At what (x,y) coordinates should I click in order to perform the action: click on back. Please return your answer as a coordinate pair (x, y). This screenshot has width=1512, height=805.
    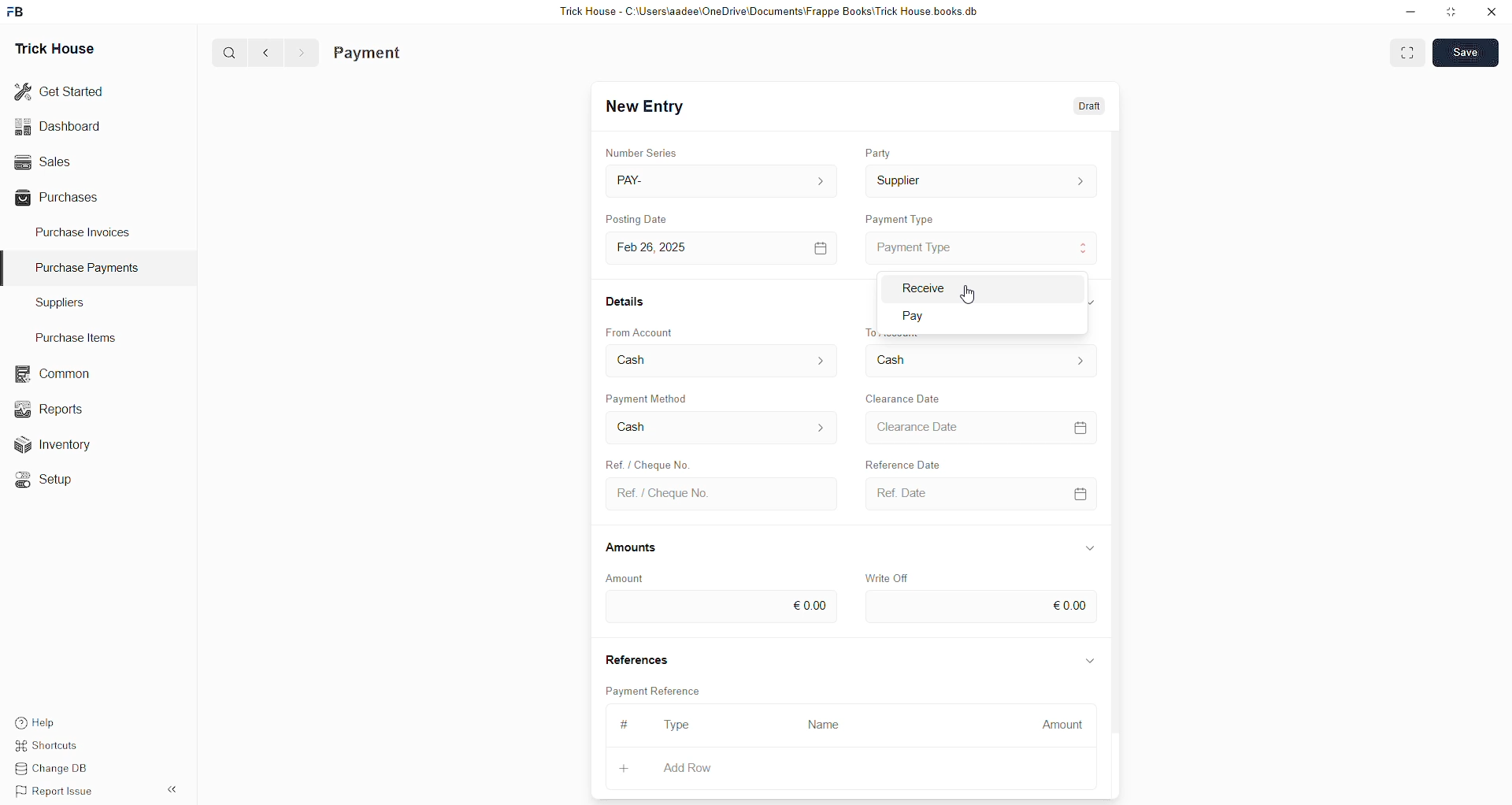
    Looking at the image, I should click on (267, 52).